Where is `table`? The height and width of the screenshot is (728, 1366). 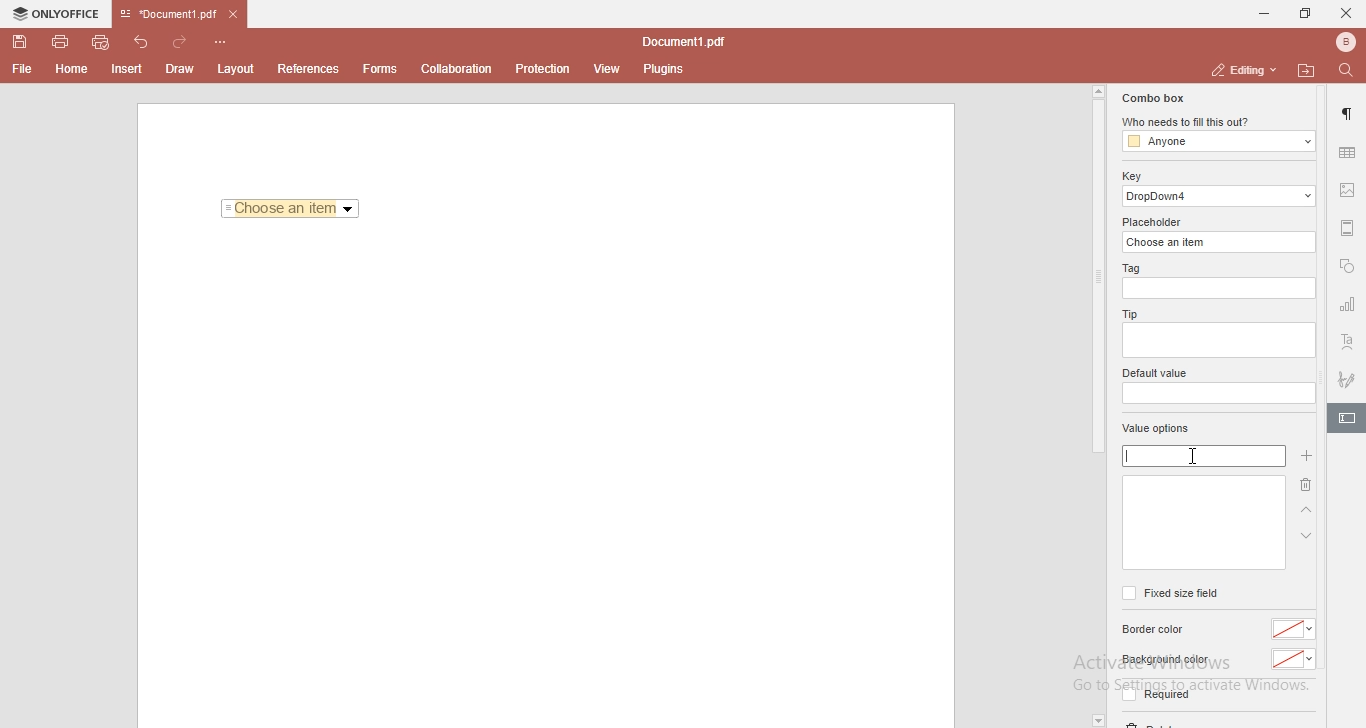
table is located at coordinates (1347, 152).